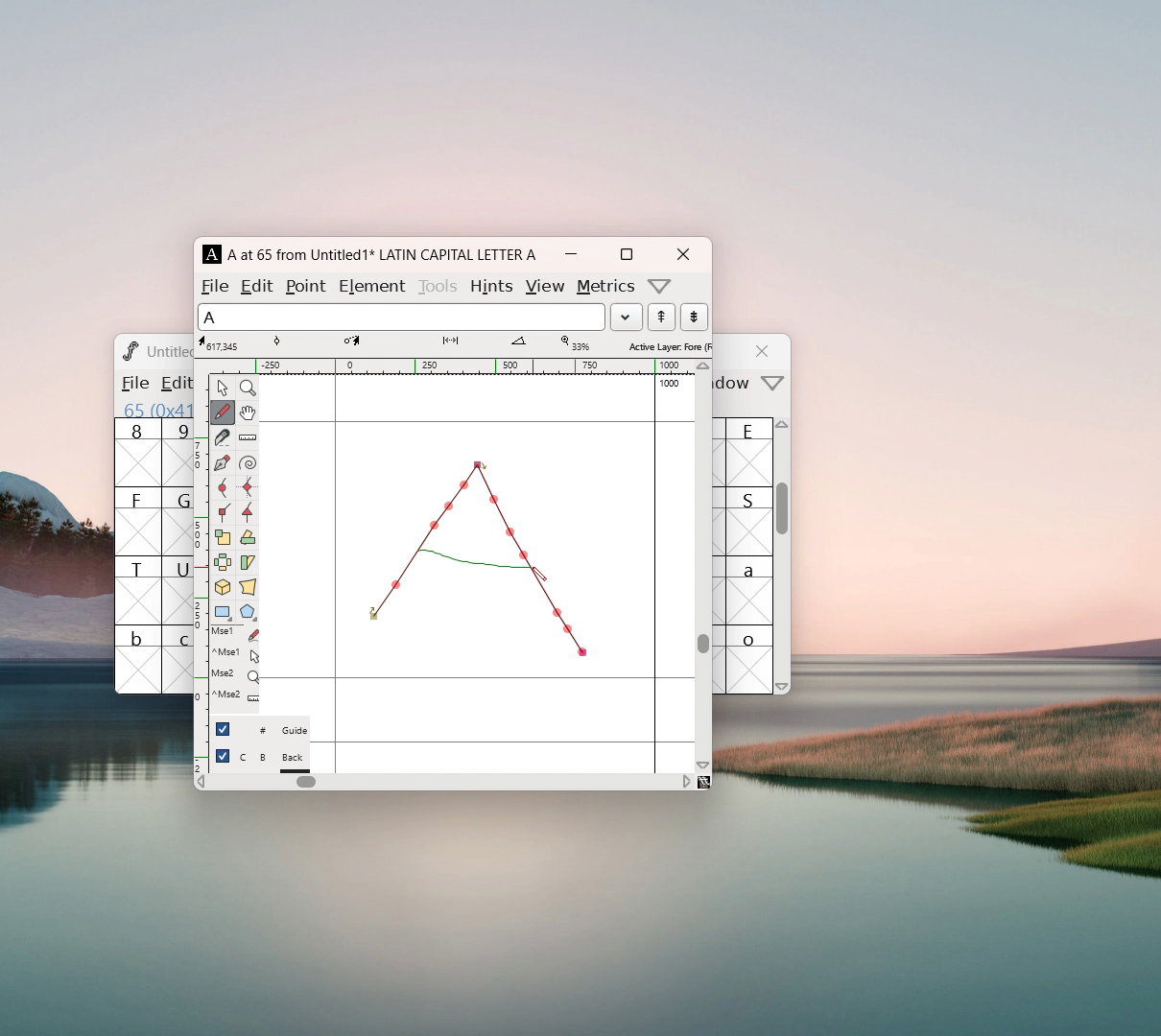  Describe the element at coordinates (178, 660) in the screenshot. I see `c` at that location.